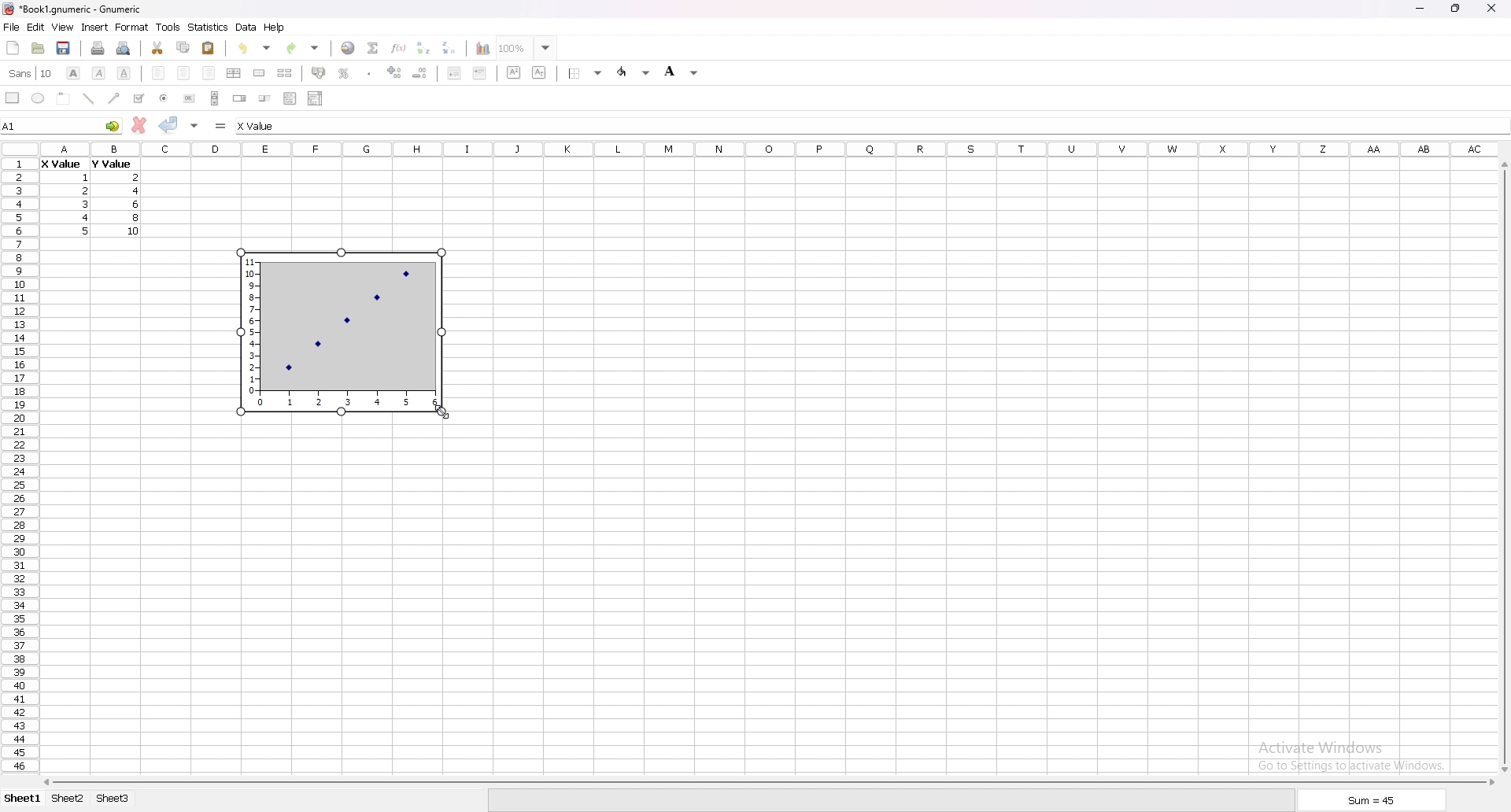 The height and width of the screenshot is (812, 1511). What do you see at coordinates (137, 177) in the screenshot?
I see `value` at bounding box center [137, 177].